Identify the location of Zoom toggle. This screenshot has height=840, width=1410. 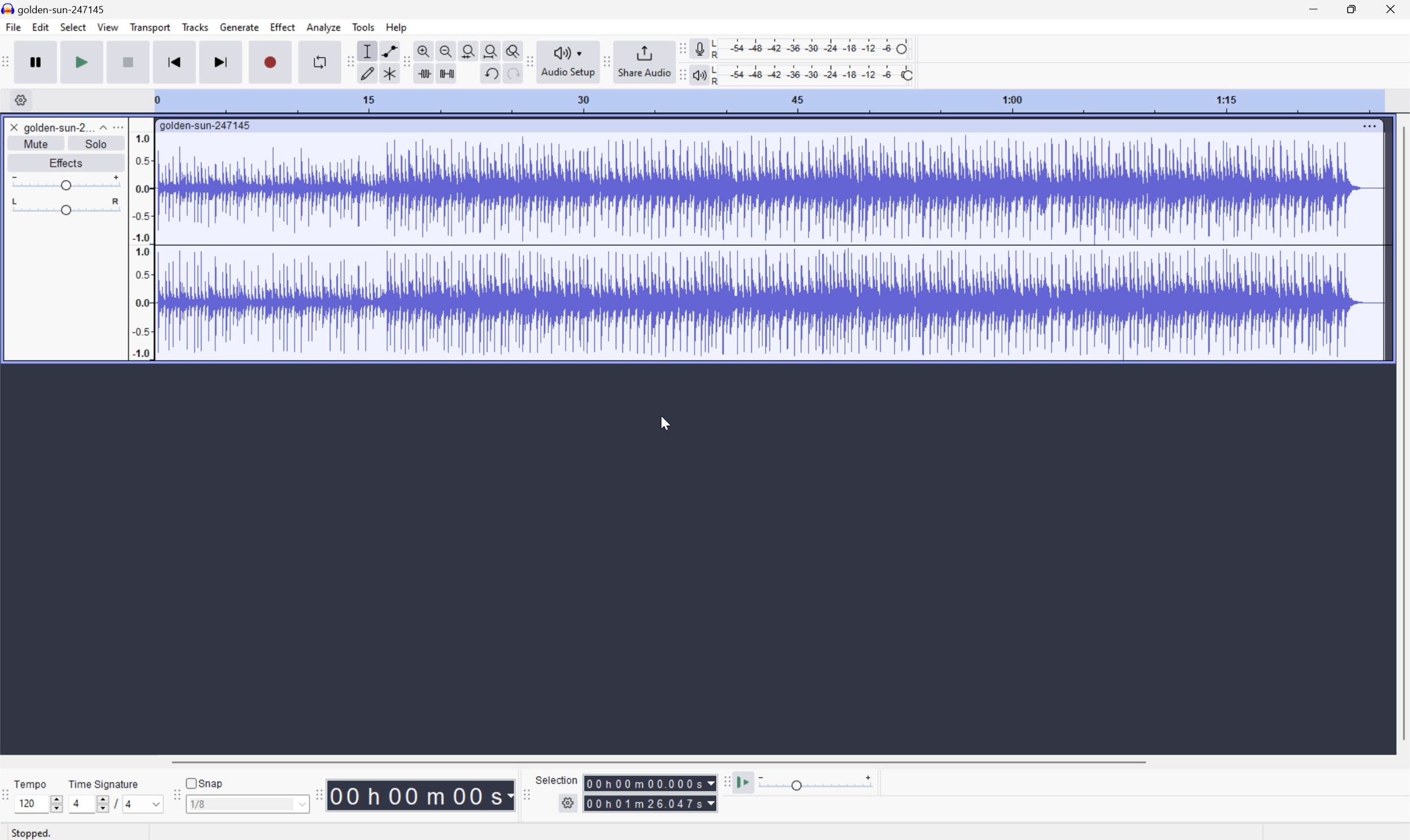
(510, 50).